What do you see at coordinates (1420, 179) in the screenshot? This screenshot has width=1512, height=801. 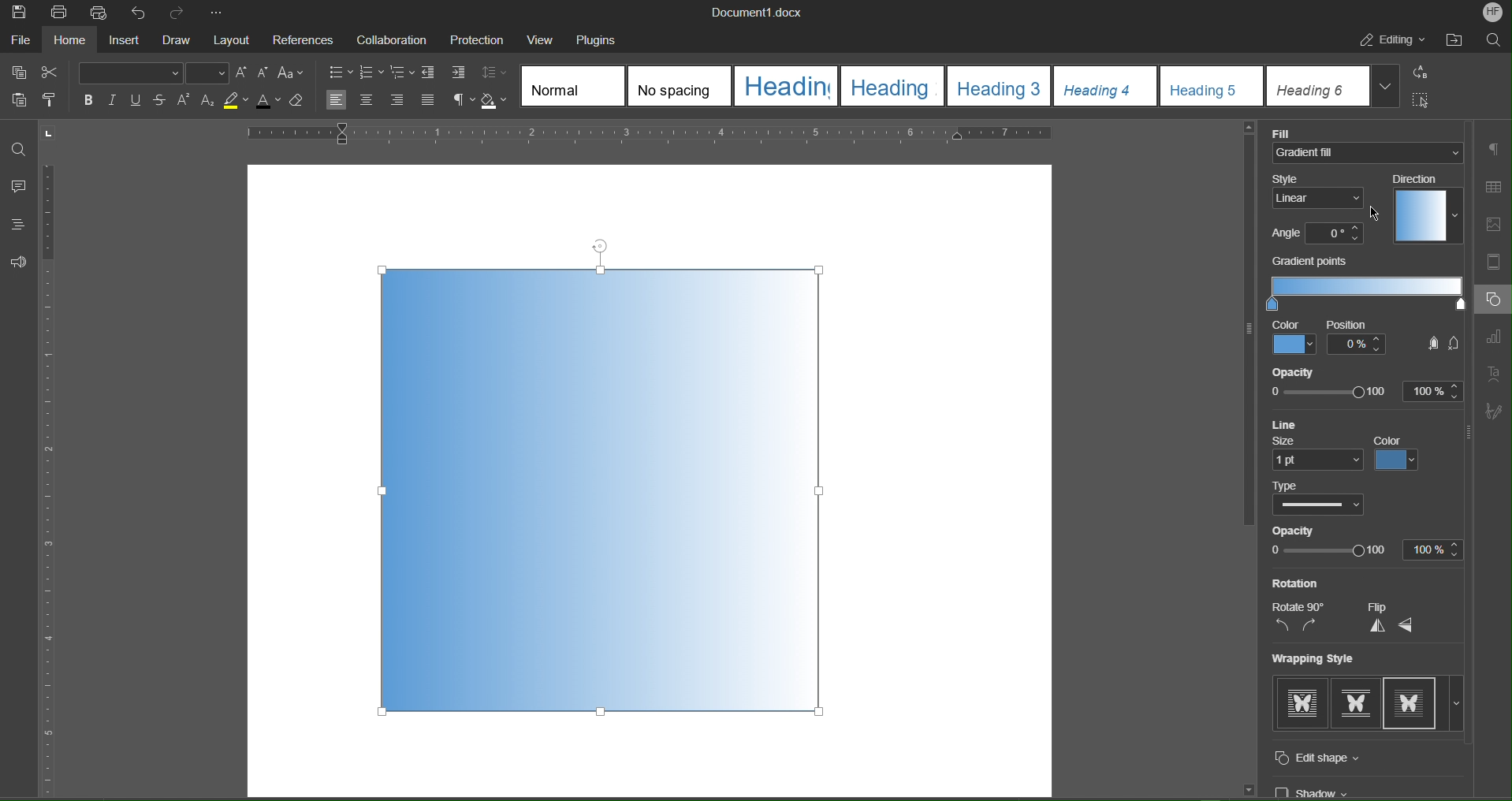 I see `Direction` at bounding box center [1420, 179].